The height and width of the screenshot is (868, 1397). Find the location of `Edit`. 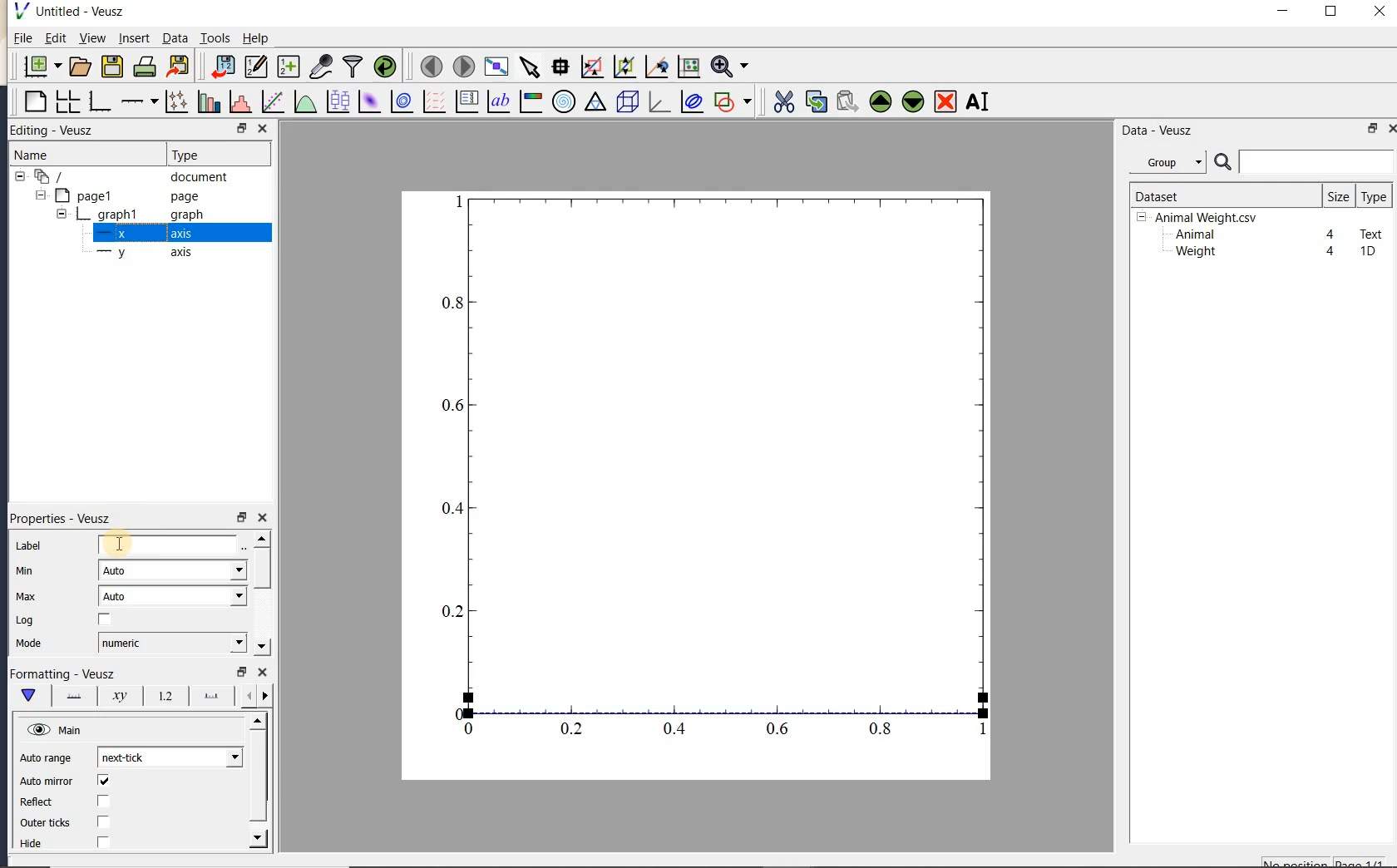

Edit is located at coordinates (52, 40).